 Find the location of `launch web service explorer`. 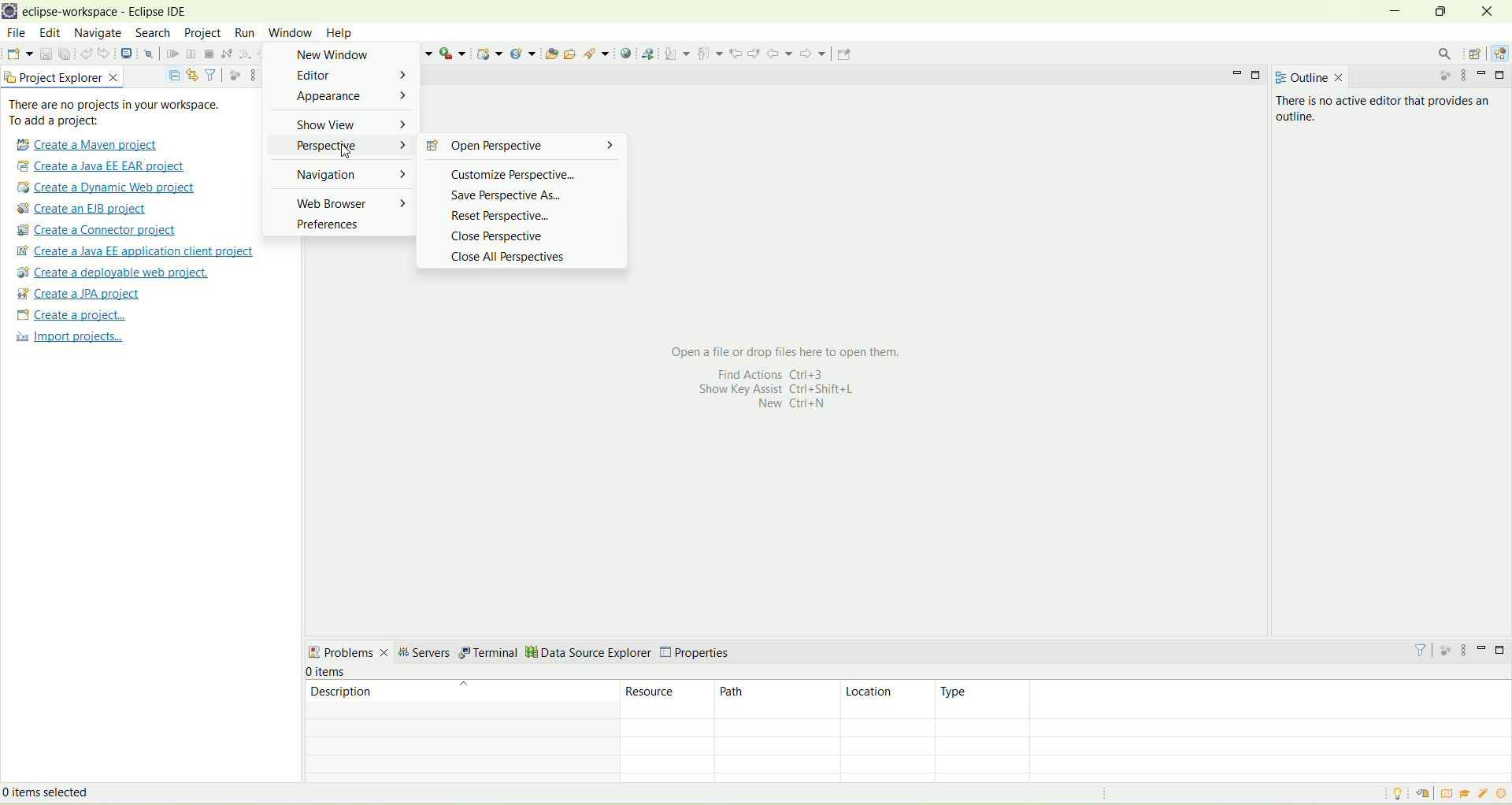

launch web service explorer is located at coordinates (647, 54).